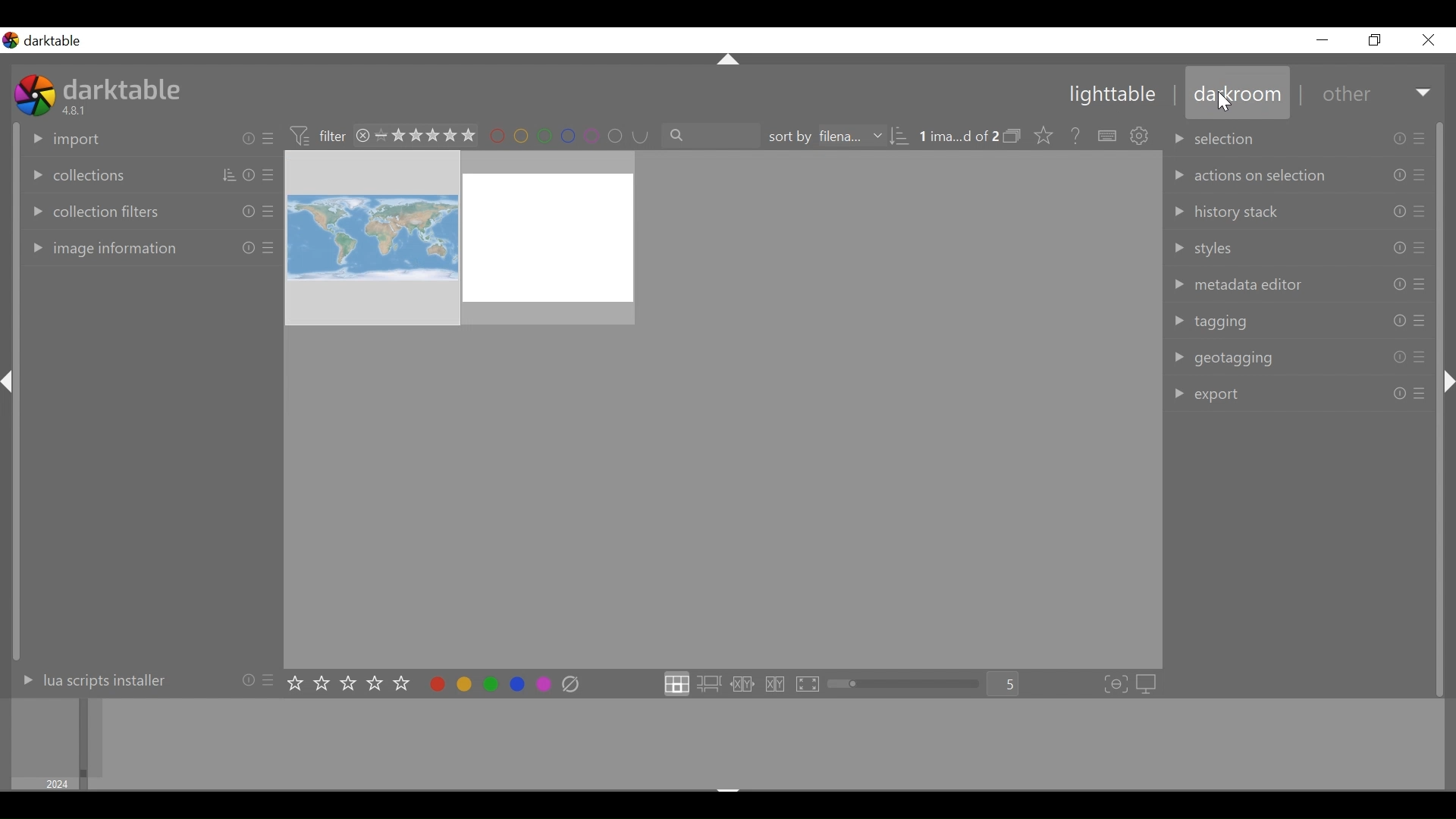  I want to click on Help, so click(1075, 134).